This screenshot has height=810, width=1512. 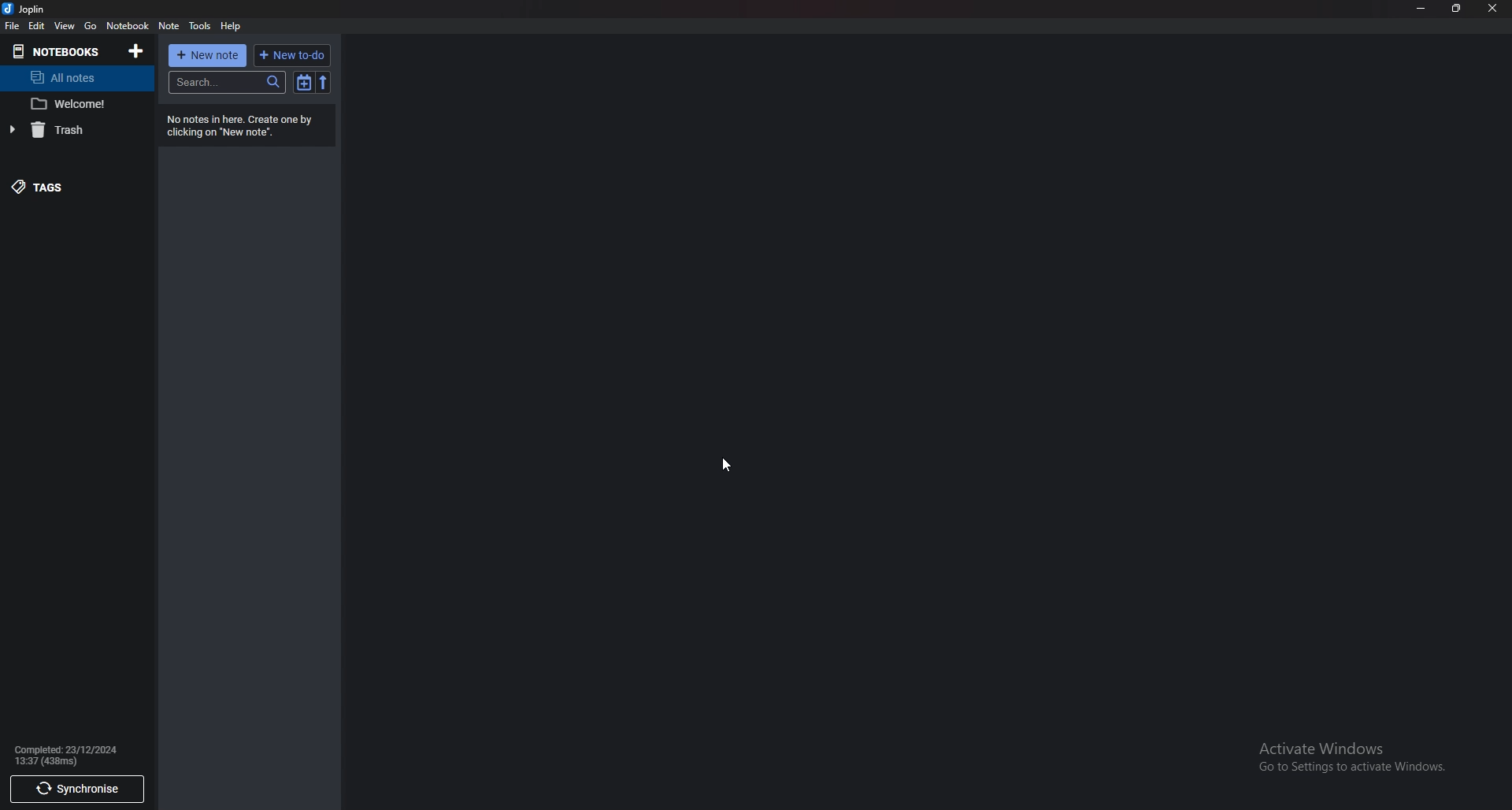 What do you see at coordinates (61, 52) in the screenshot?
I see `Notebooks` at bounding box center [61, 52].